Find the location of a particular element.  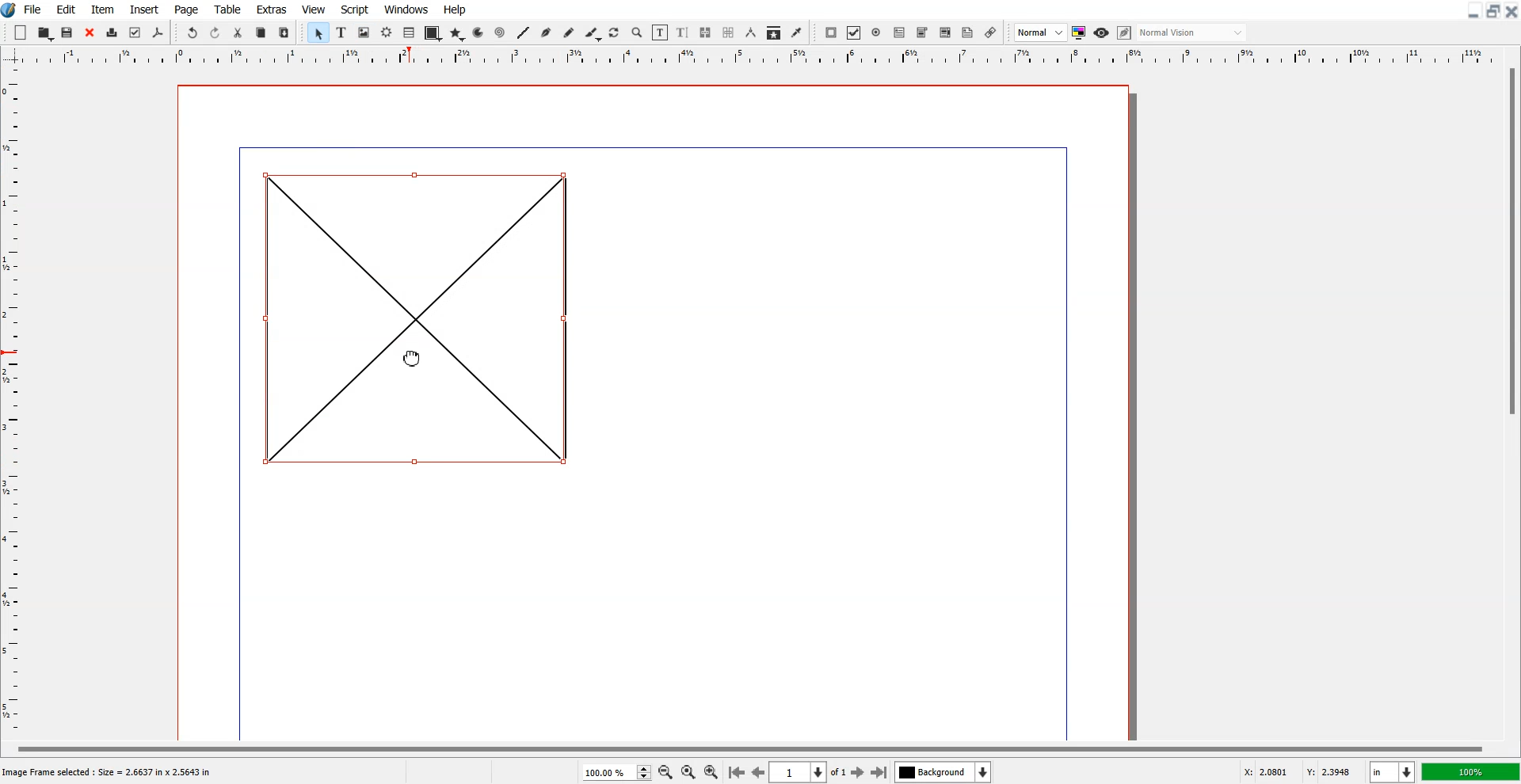

Copy Item Properties is located at coordinates (773, 32).